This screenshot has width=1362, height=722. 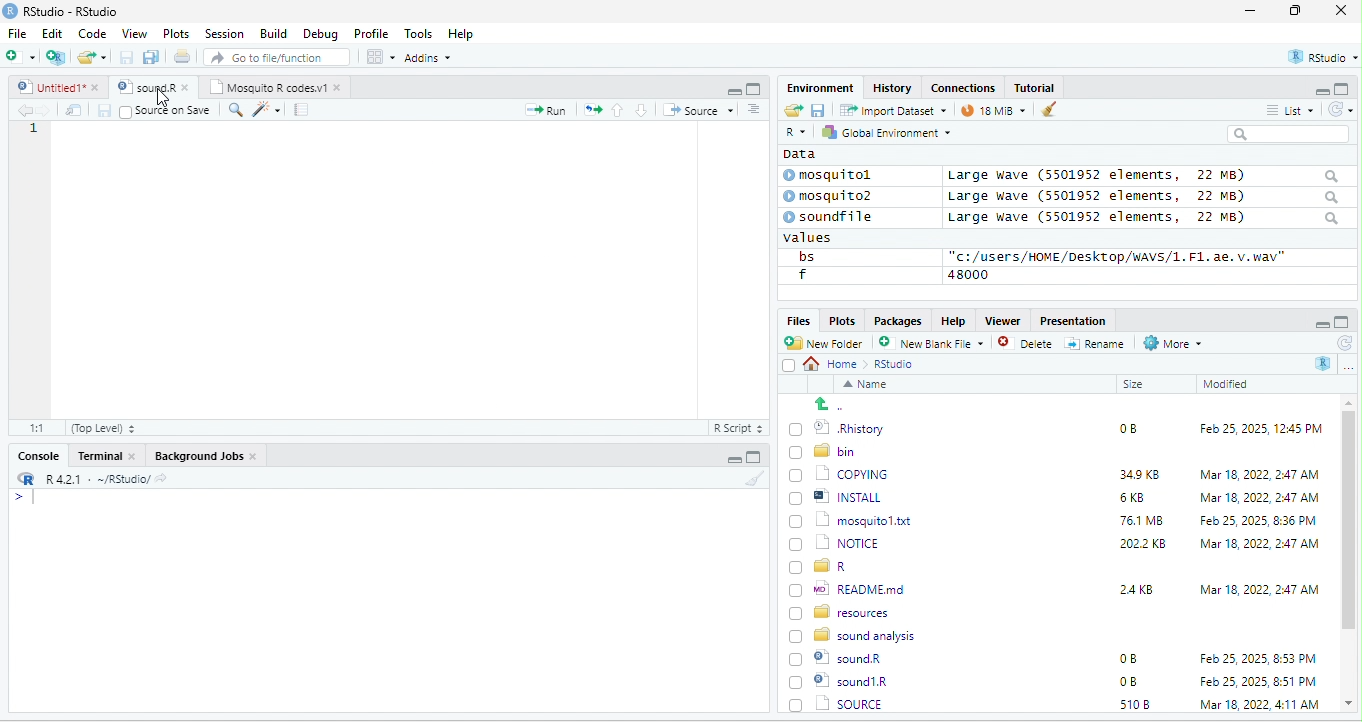 I want to click on 1 mosquitol.txt, so click(x=844, y=519).